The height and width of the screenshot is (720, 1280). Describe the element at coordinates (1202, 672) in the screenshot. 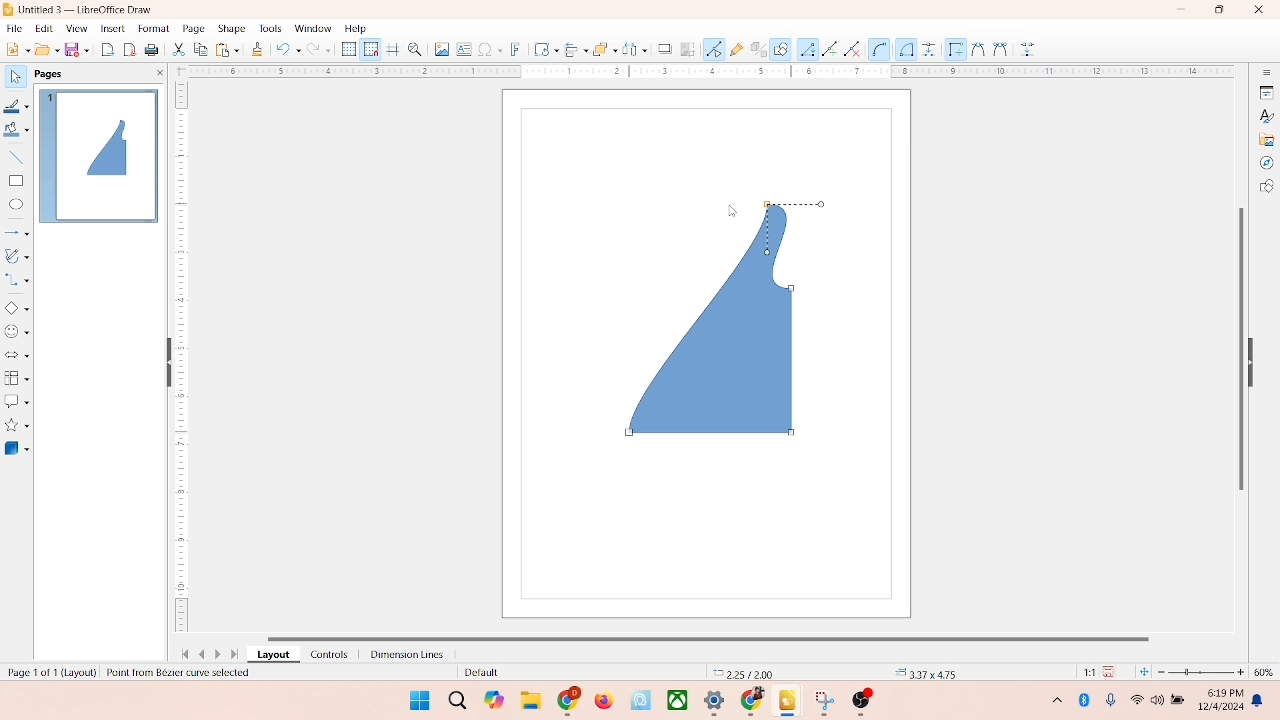

I see `zoom factor` at that location.